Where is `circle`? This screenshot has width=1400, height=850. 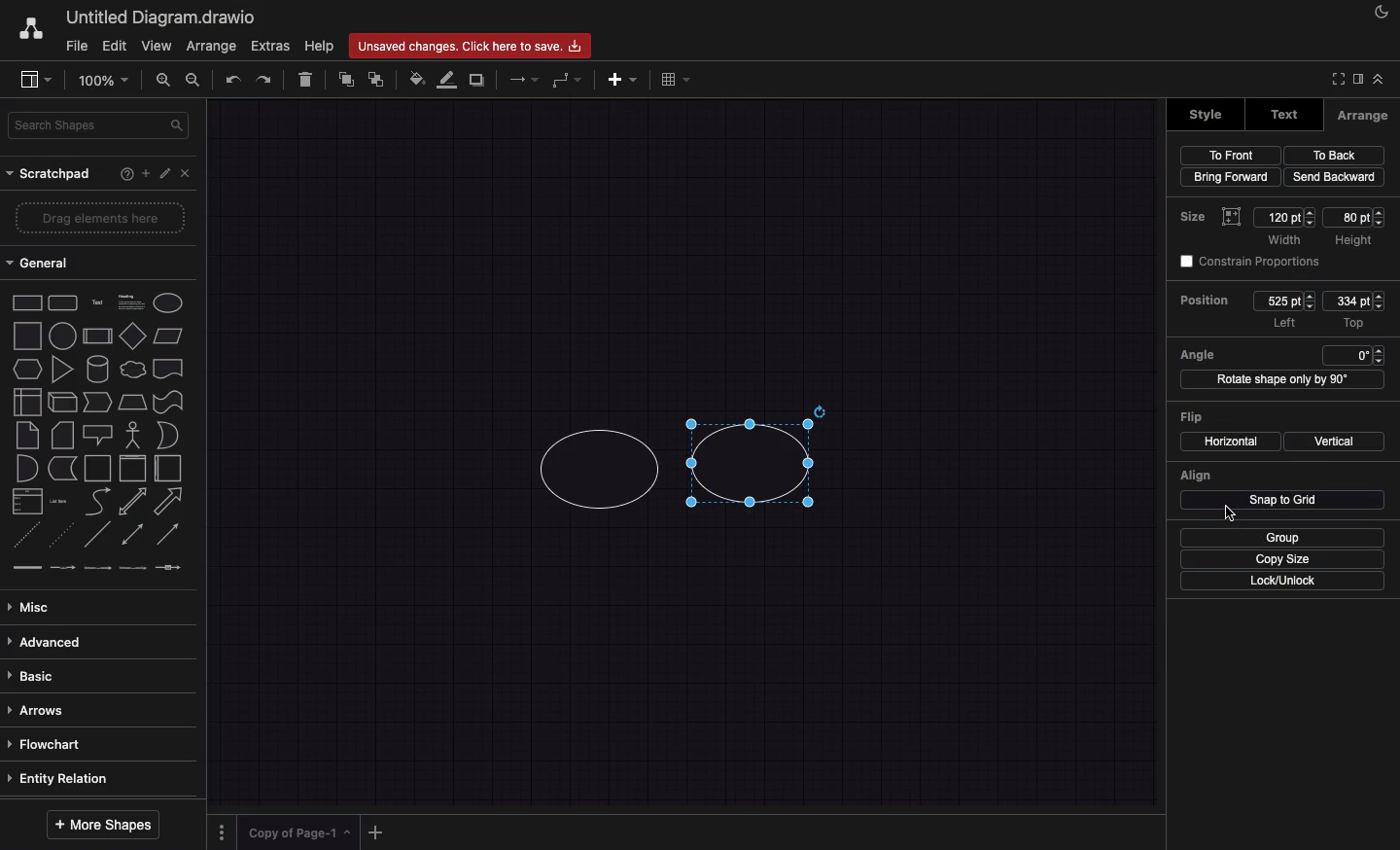 circle is located at coordinates (601, 471).